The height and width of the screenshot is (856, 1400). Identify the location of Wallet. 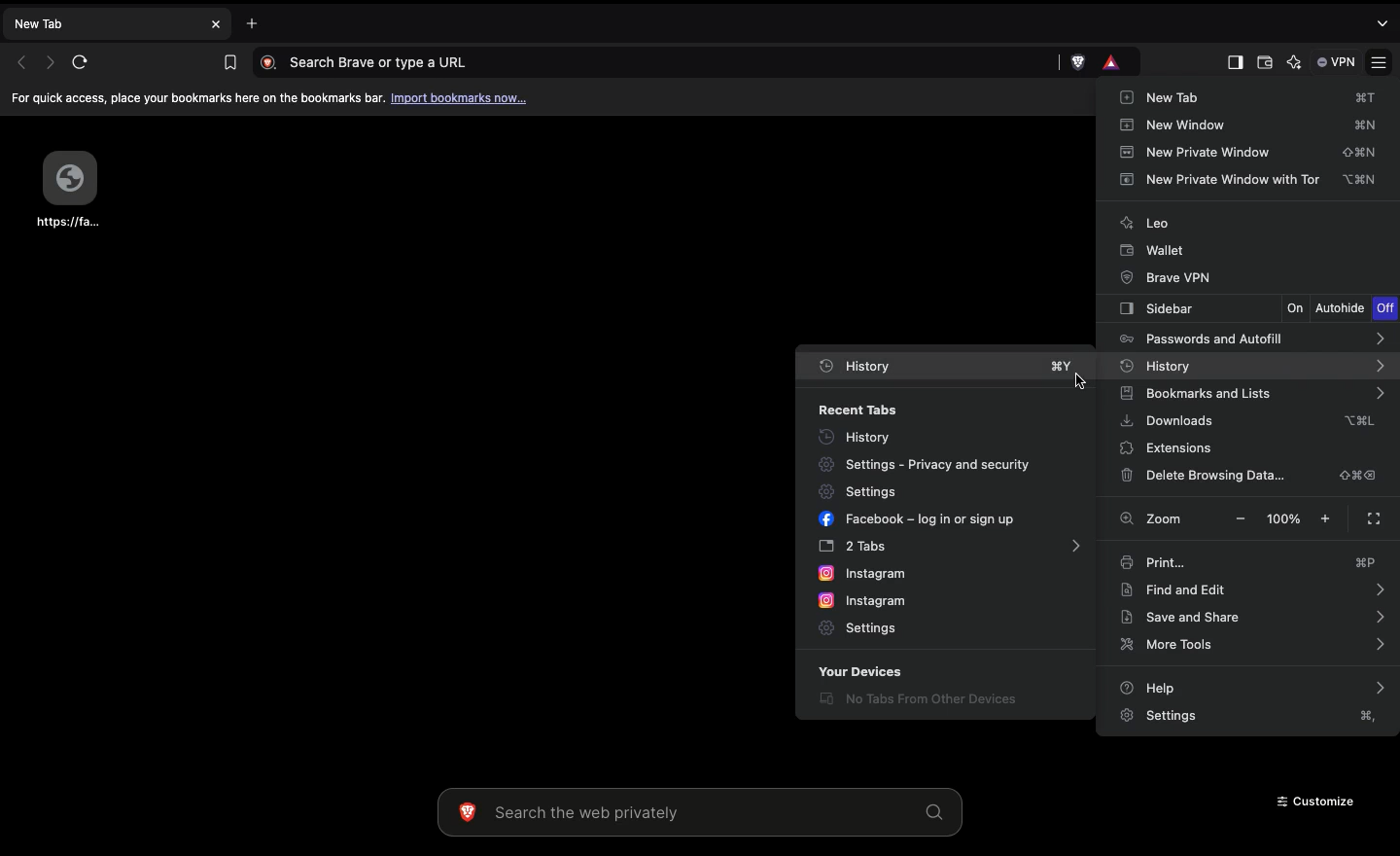
(1263, 64).